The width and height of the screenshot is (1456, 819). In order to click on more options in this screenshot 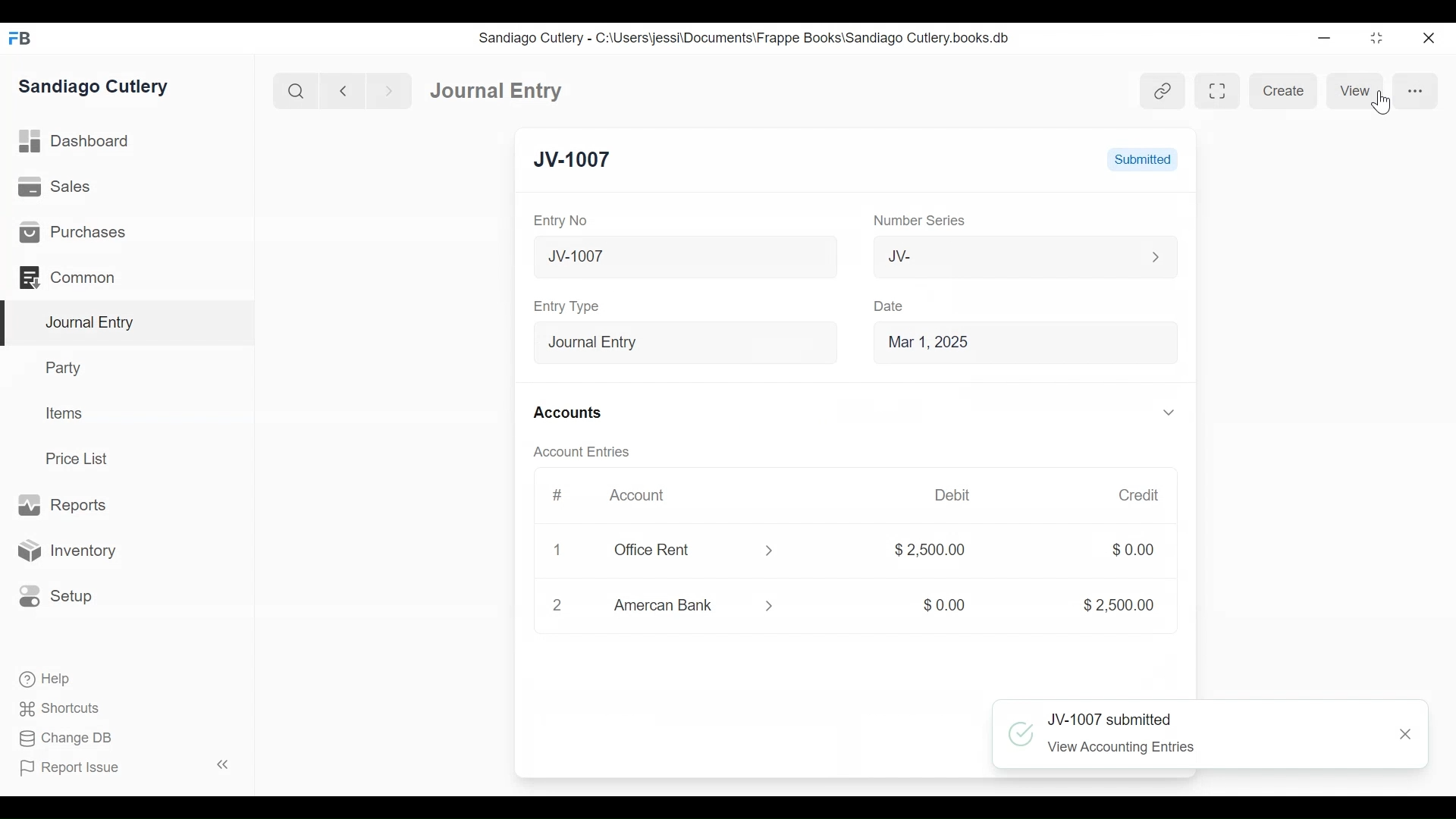, I will do `click(1415, 91)`.